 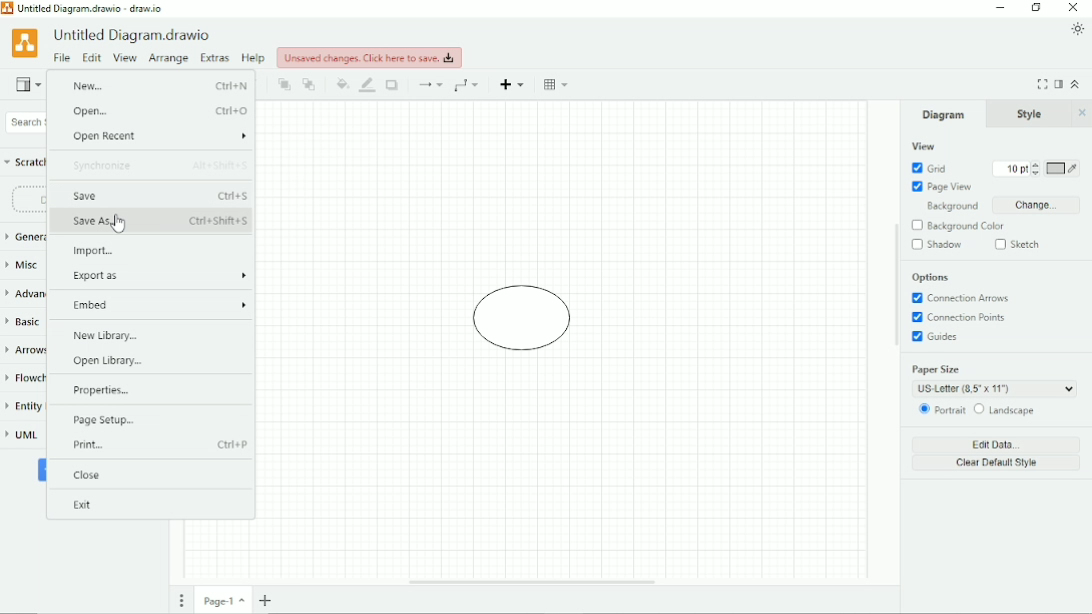 I want to click on Import, so click(x=96, y=250).